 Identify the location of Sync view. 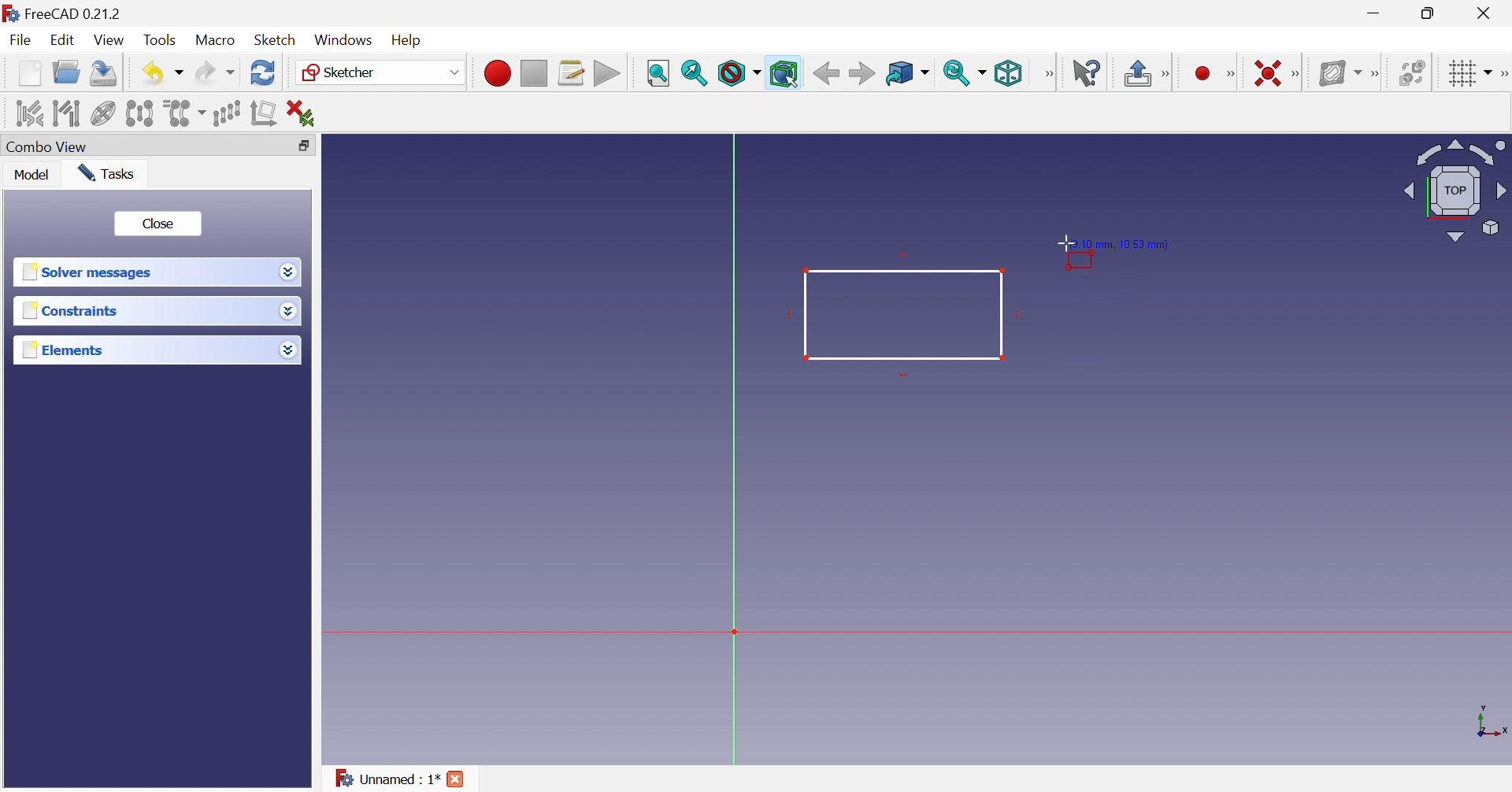
(965, 73).